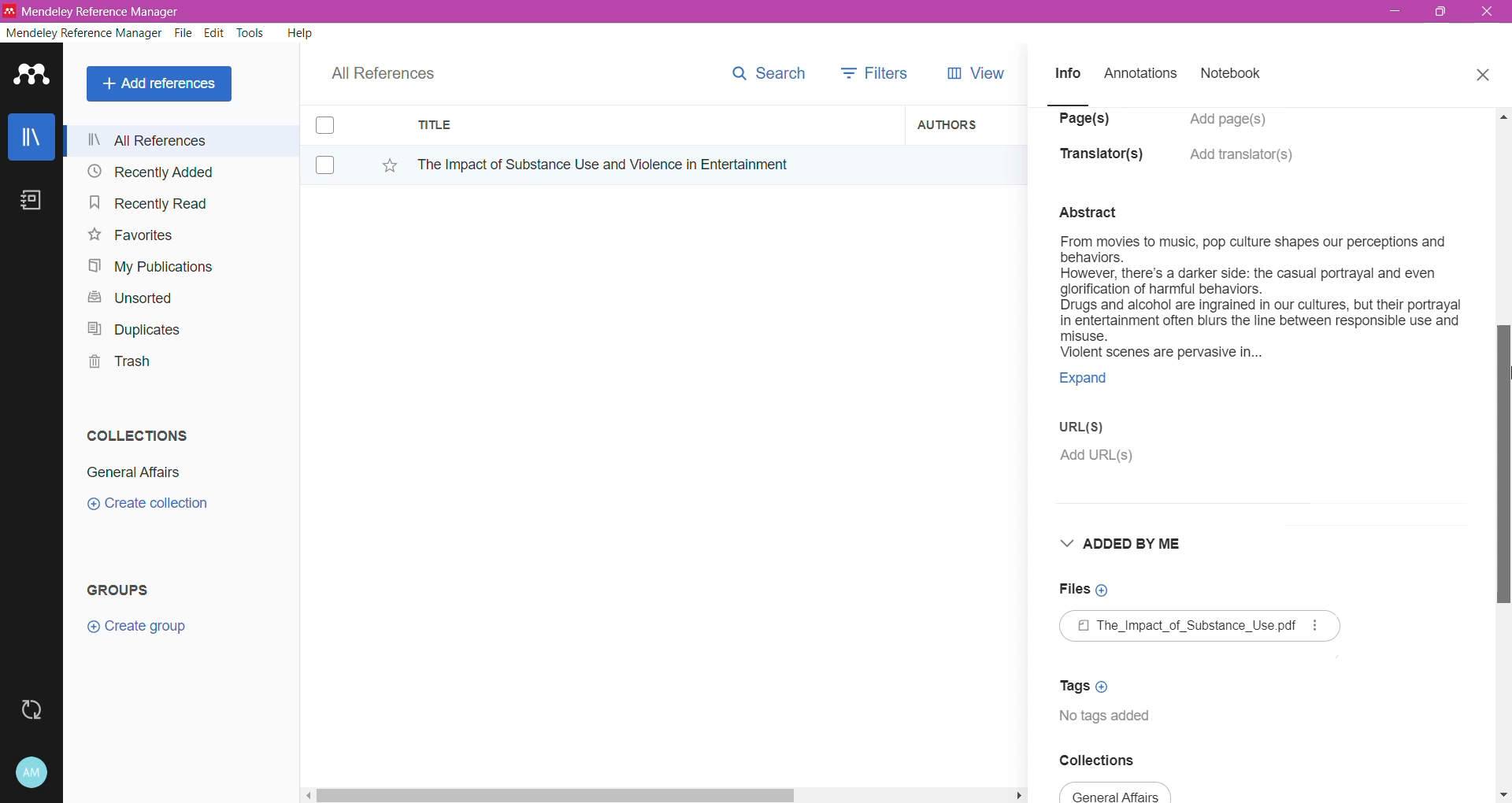  Describe the element at coordinates (1442, 13) in the screenshot. I see `Restore Down` at that location.